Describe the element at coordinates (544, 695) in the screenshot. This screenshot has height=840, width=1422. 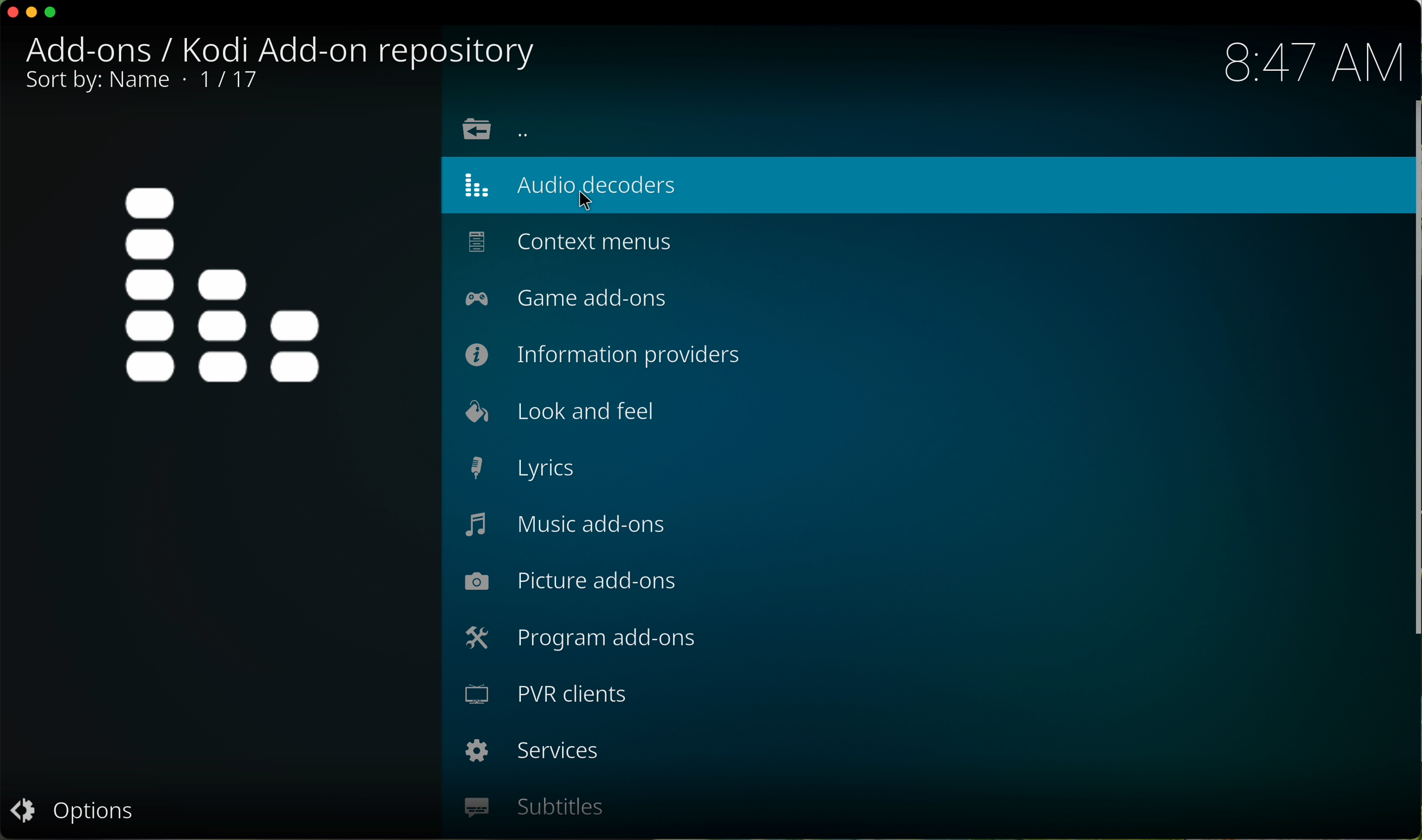
I see `PVR clients` at that location.